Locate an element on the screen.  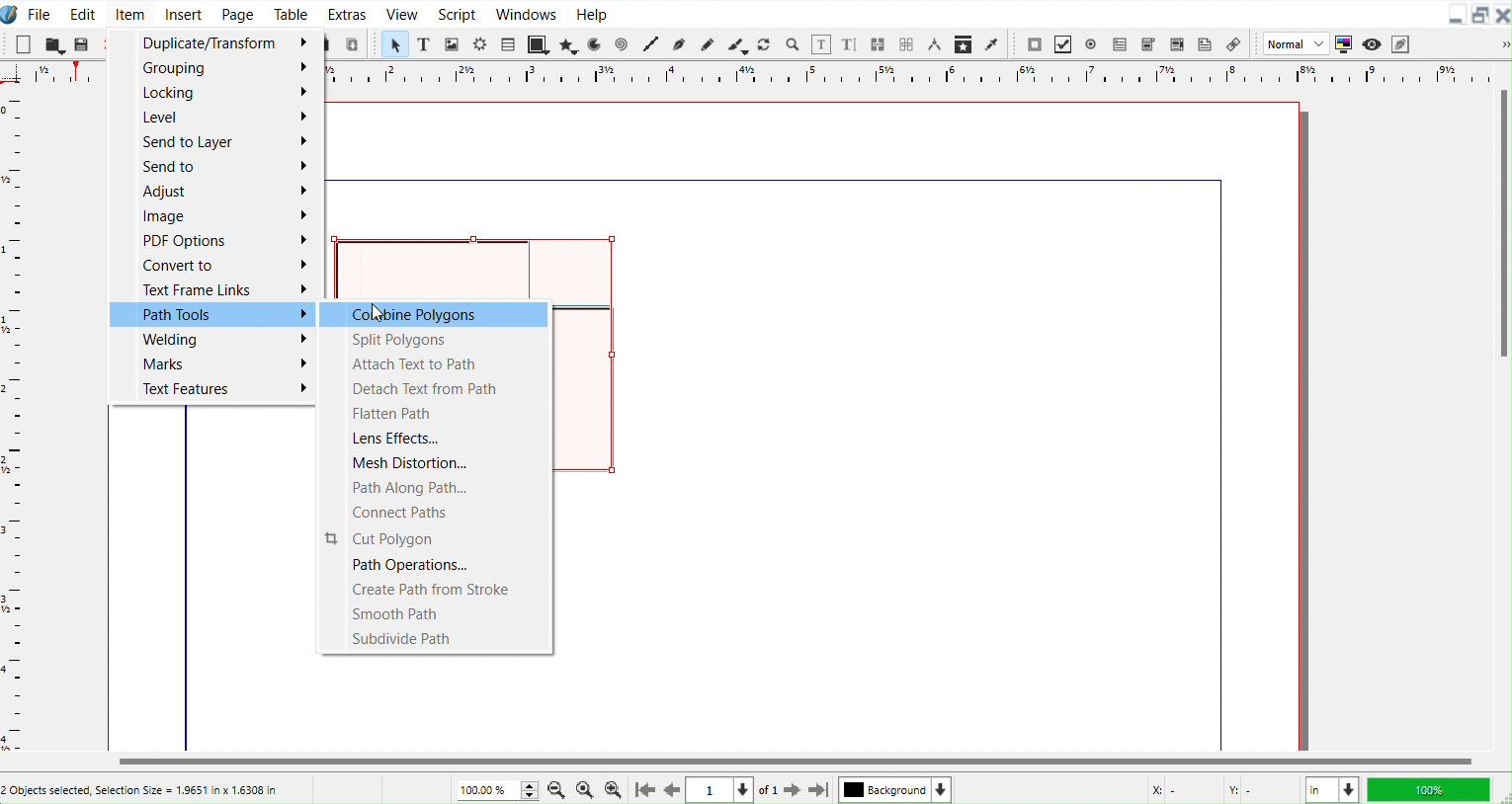
Zoom to 100% is located at coordinates (585, 789).